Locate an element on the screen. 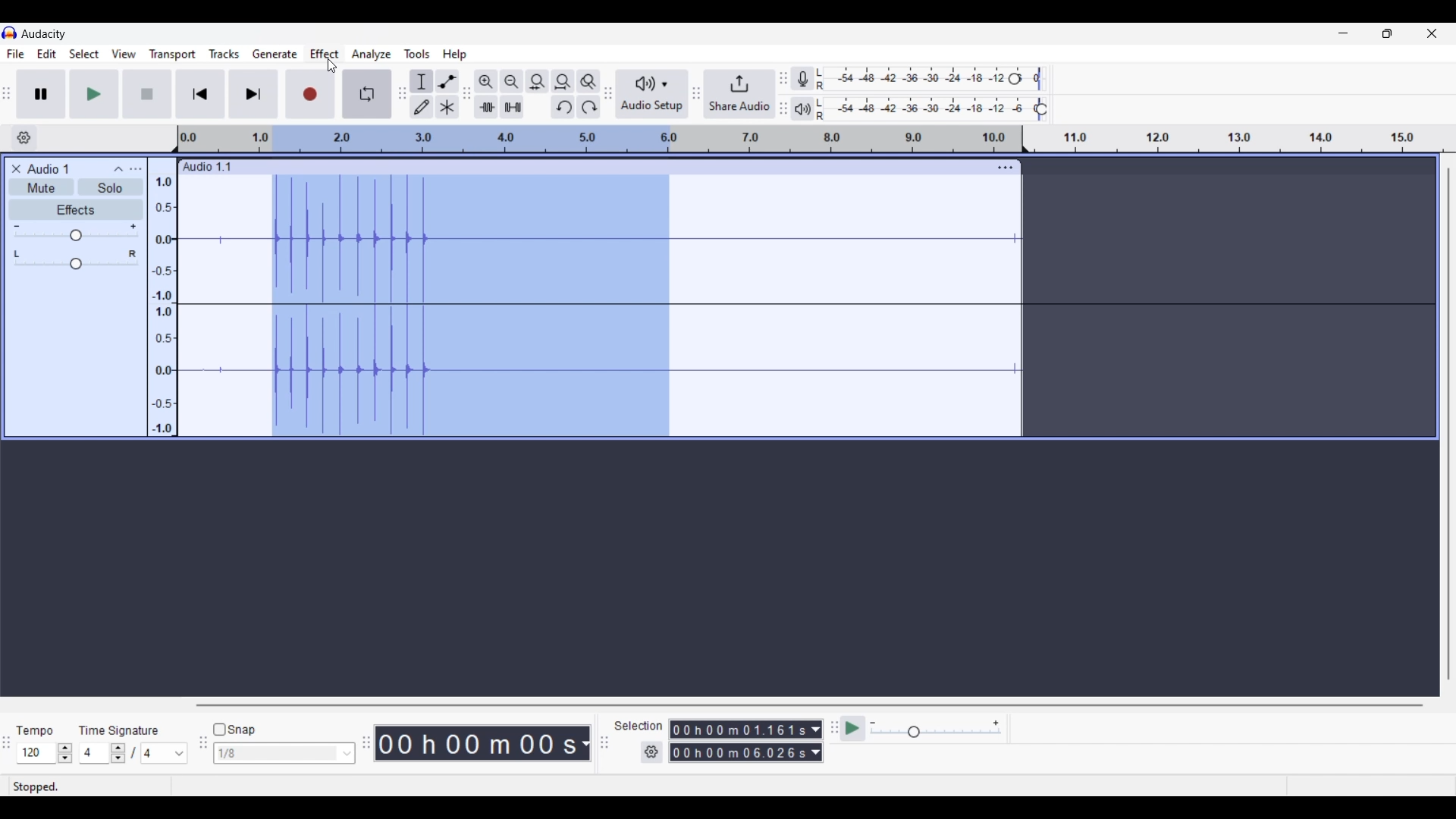  Collapse is located at coordinates (118, 169).